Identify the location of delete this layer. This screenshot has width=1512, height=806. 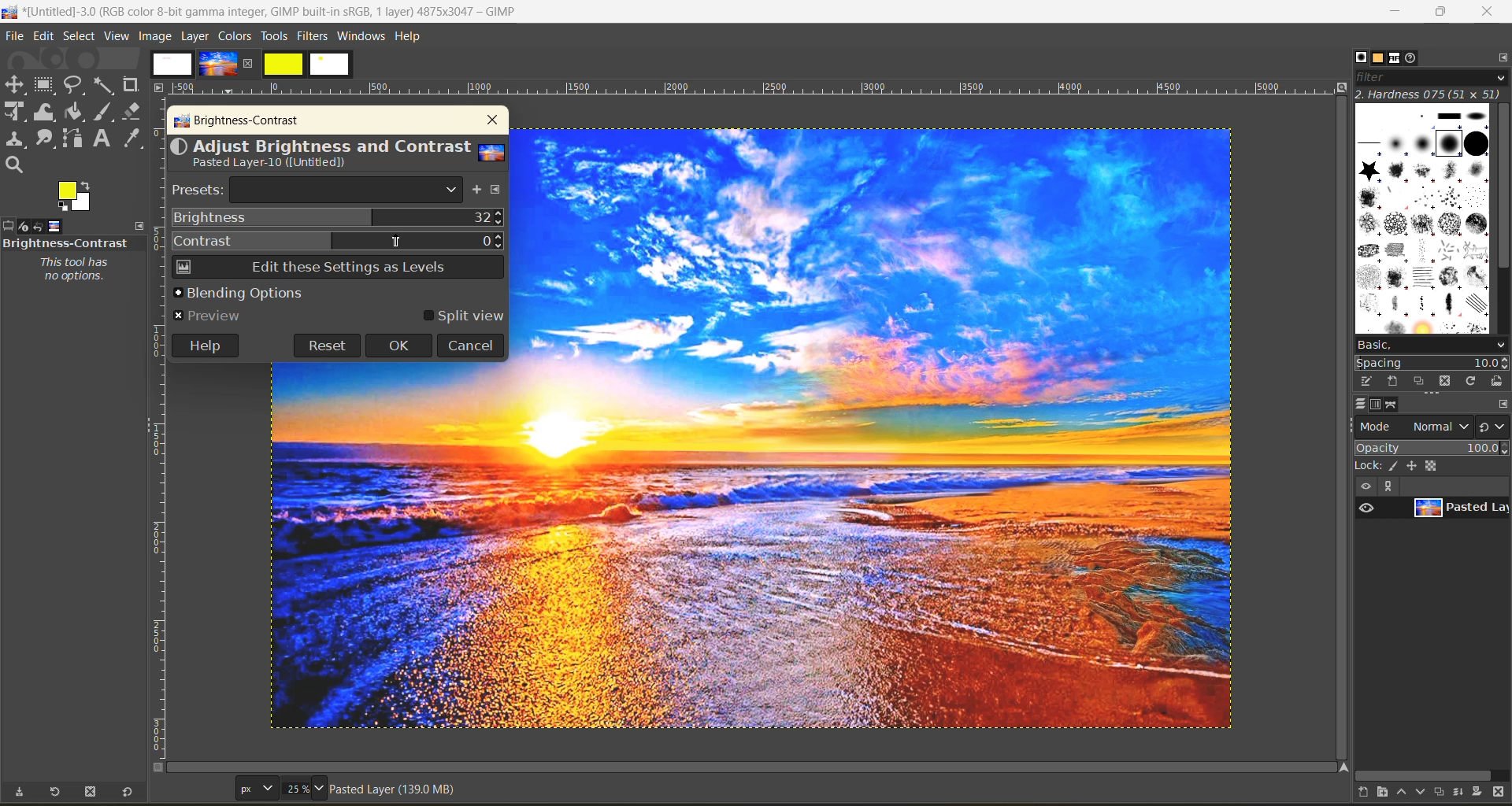
(1503, 793).